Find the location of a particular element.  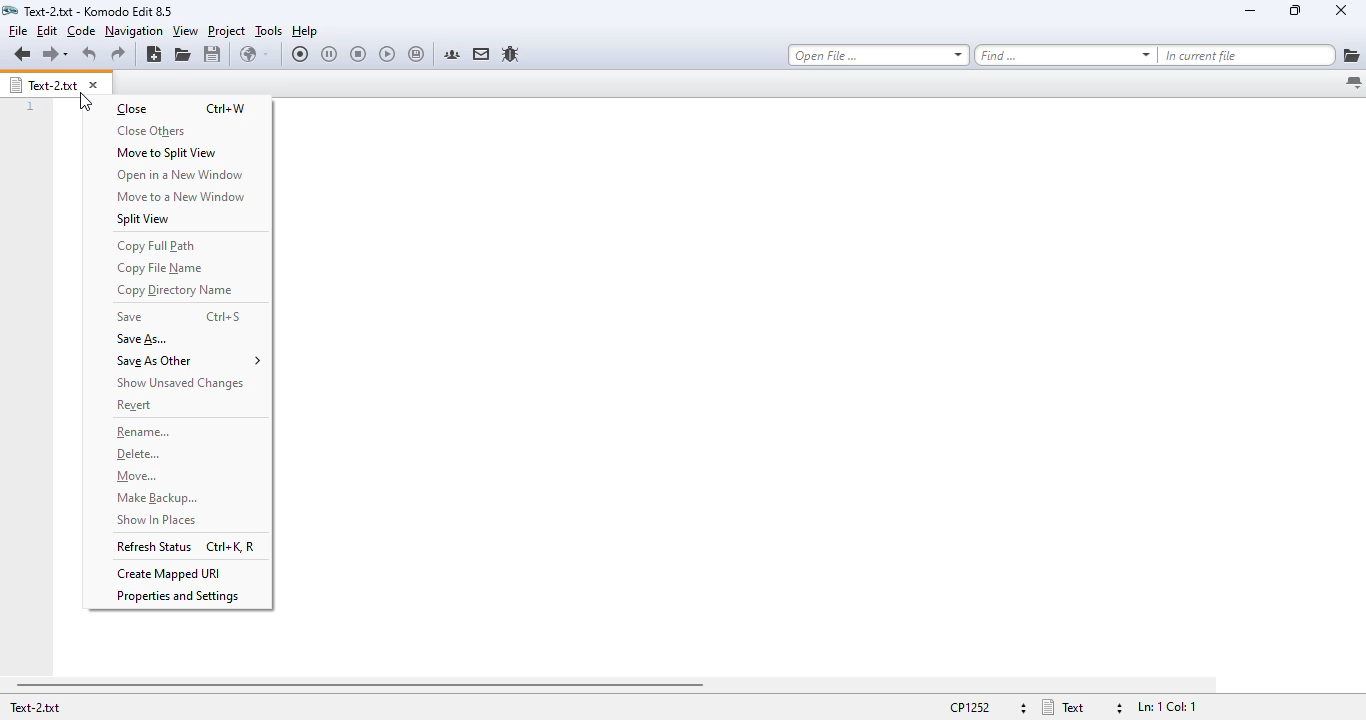

undo last action is located at coordinates (90, 54).